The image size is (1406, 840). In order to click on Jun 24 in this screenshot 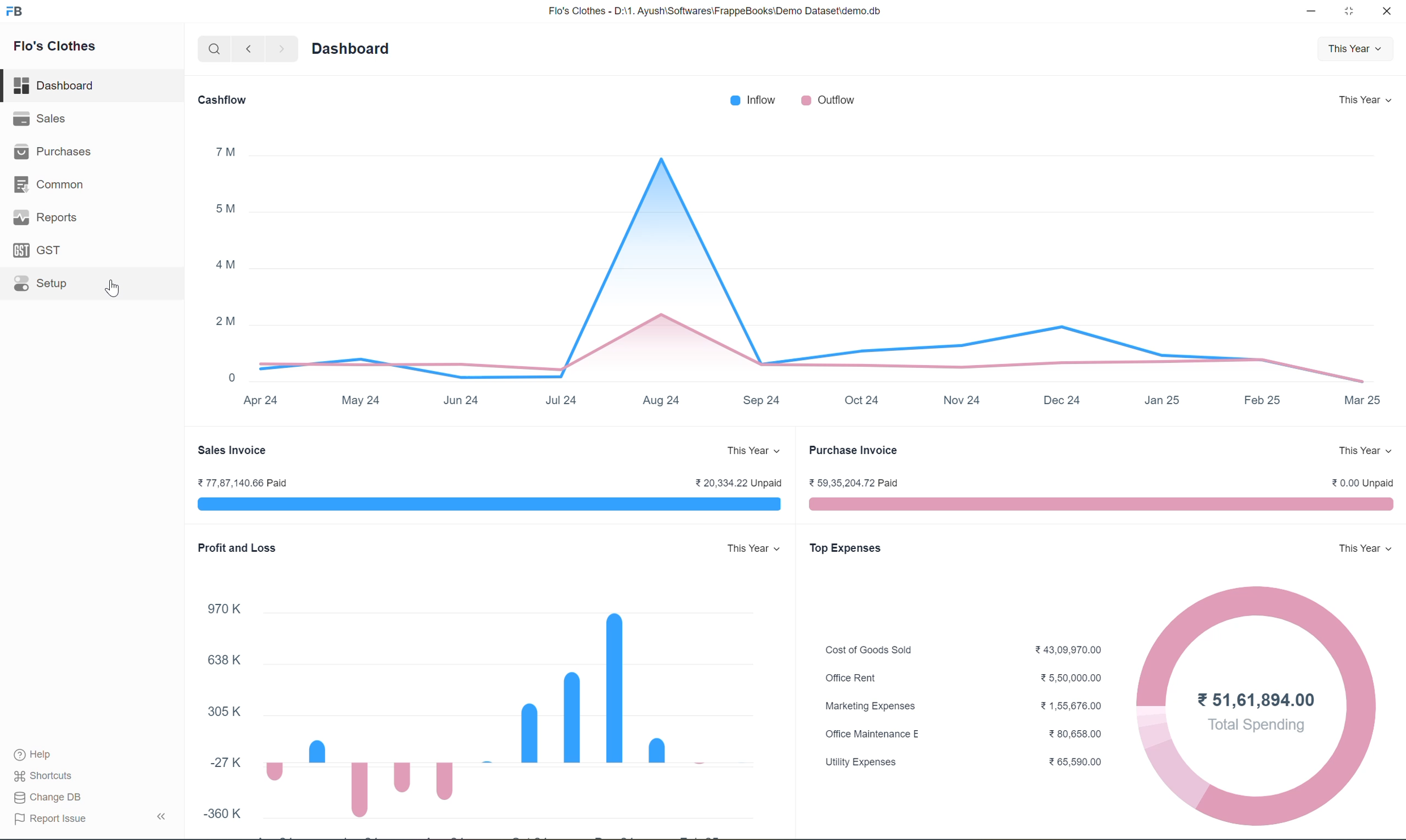, I will do `click(461, 400)`.